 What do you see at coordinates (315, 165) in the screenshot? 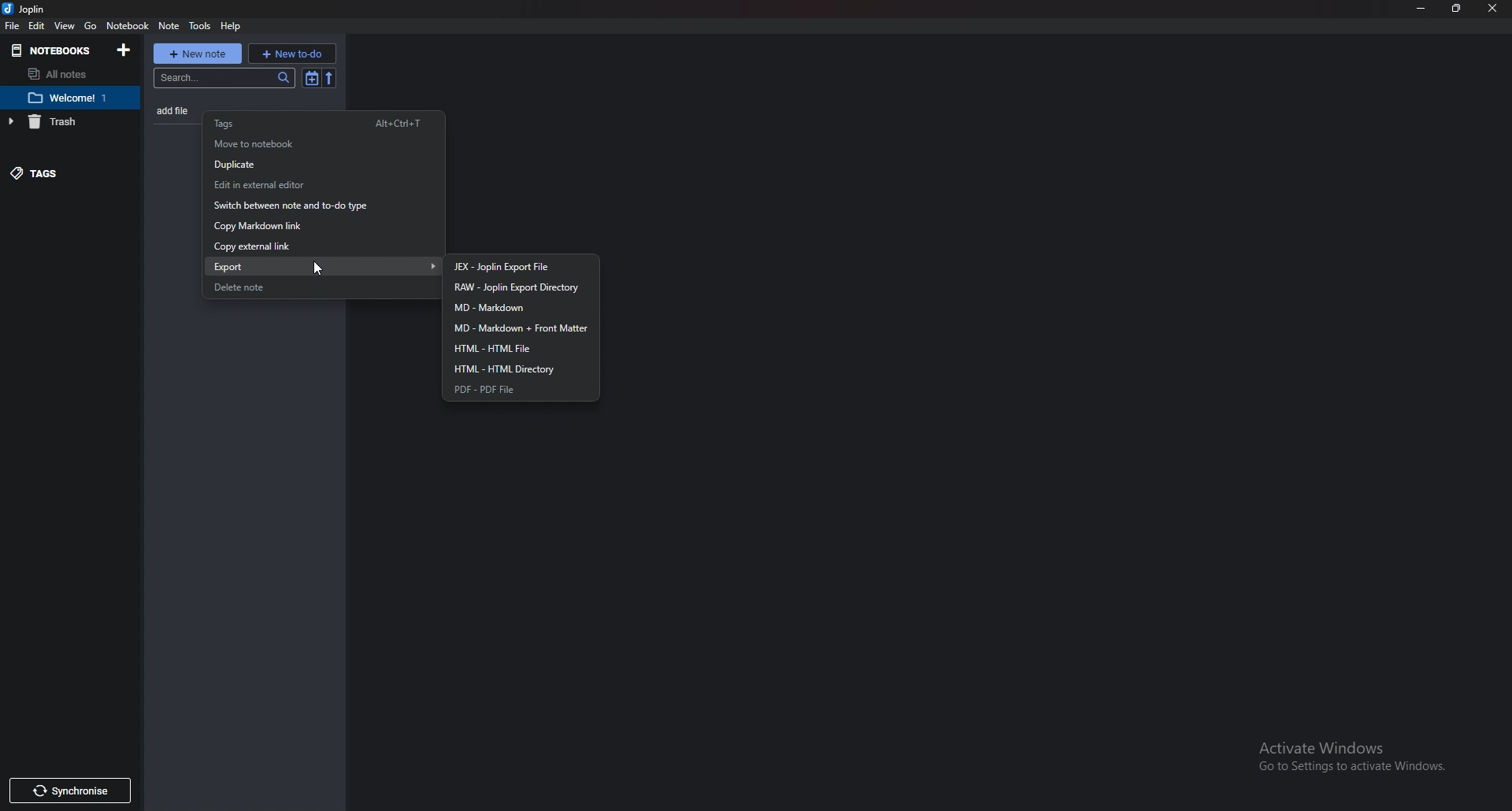
I see `Duplicate` at bounding box center [315, 165].